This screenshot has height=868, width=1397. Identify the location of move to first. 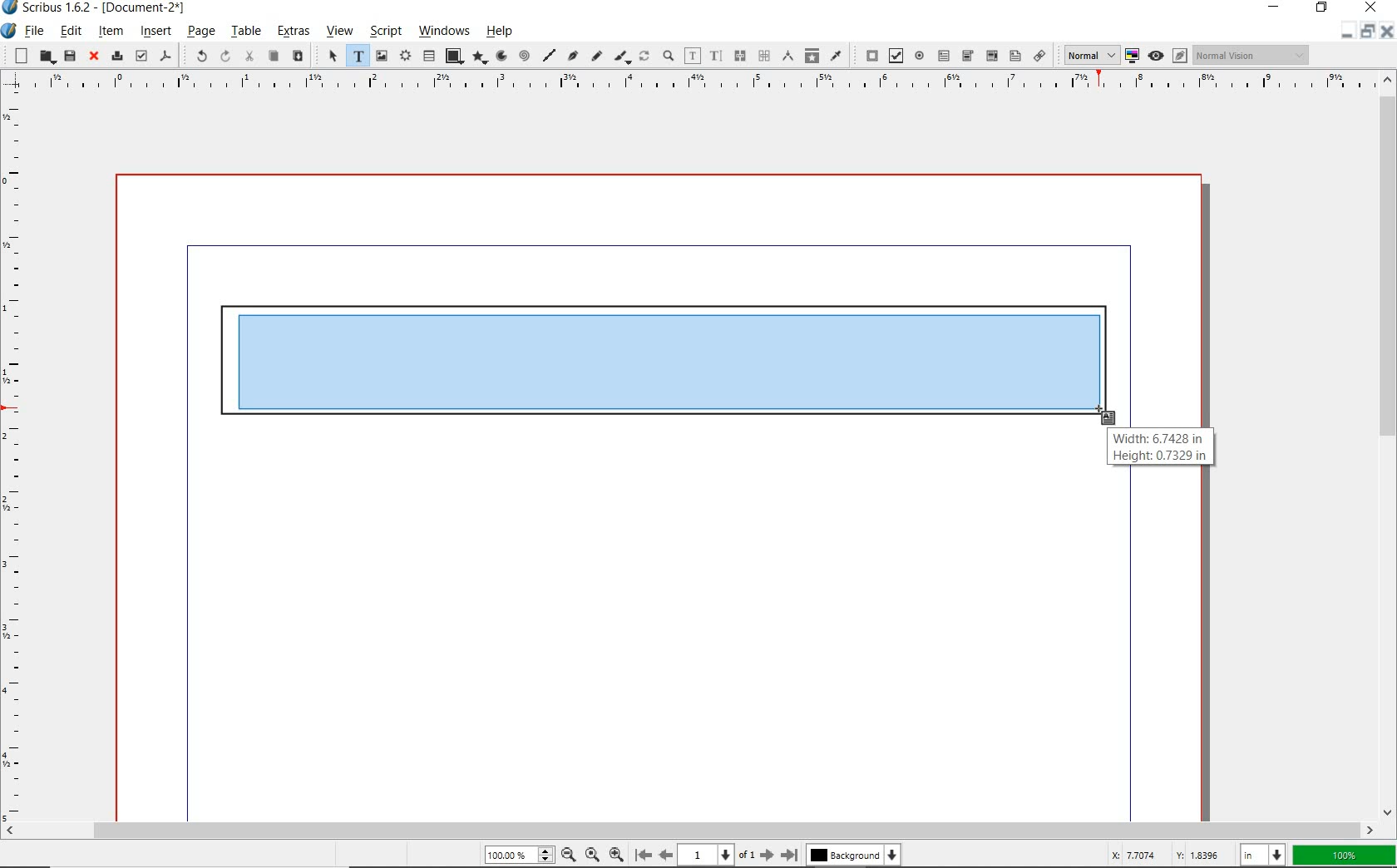
(642, 854).